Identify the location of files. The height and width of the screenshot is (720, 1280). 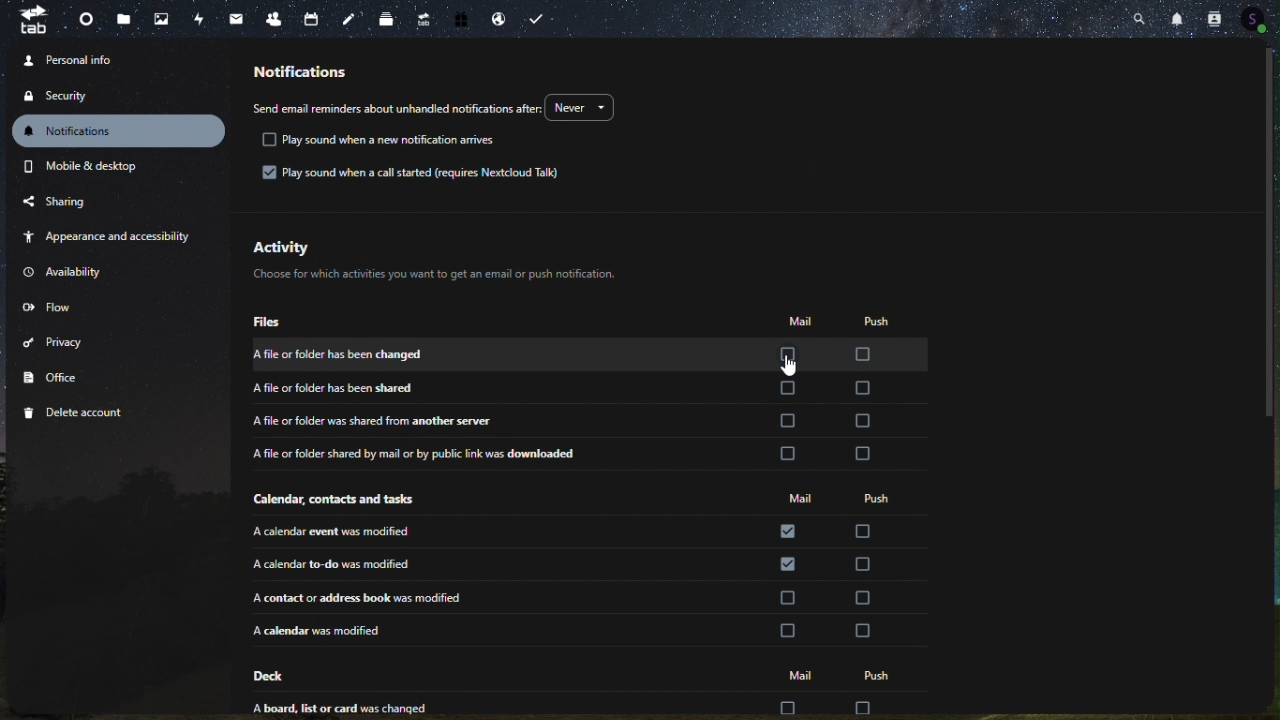
(126, 18).